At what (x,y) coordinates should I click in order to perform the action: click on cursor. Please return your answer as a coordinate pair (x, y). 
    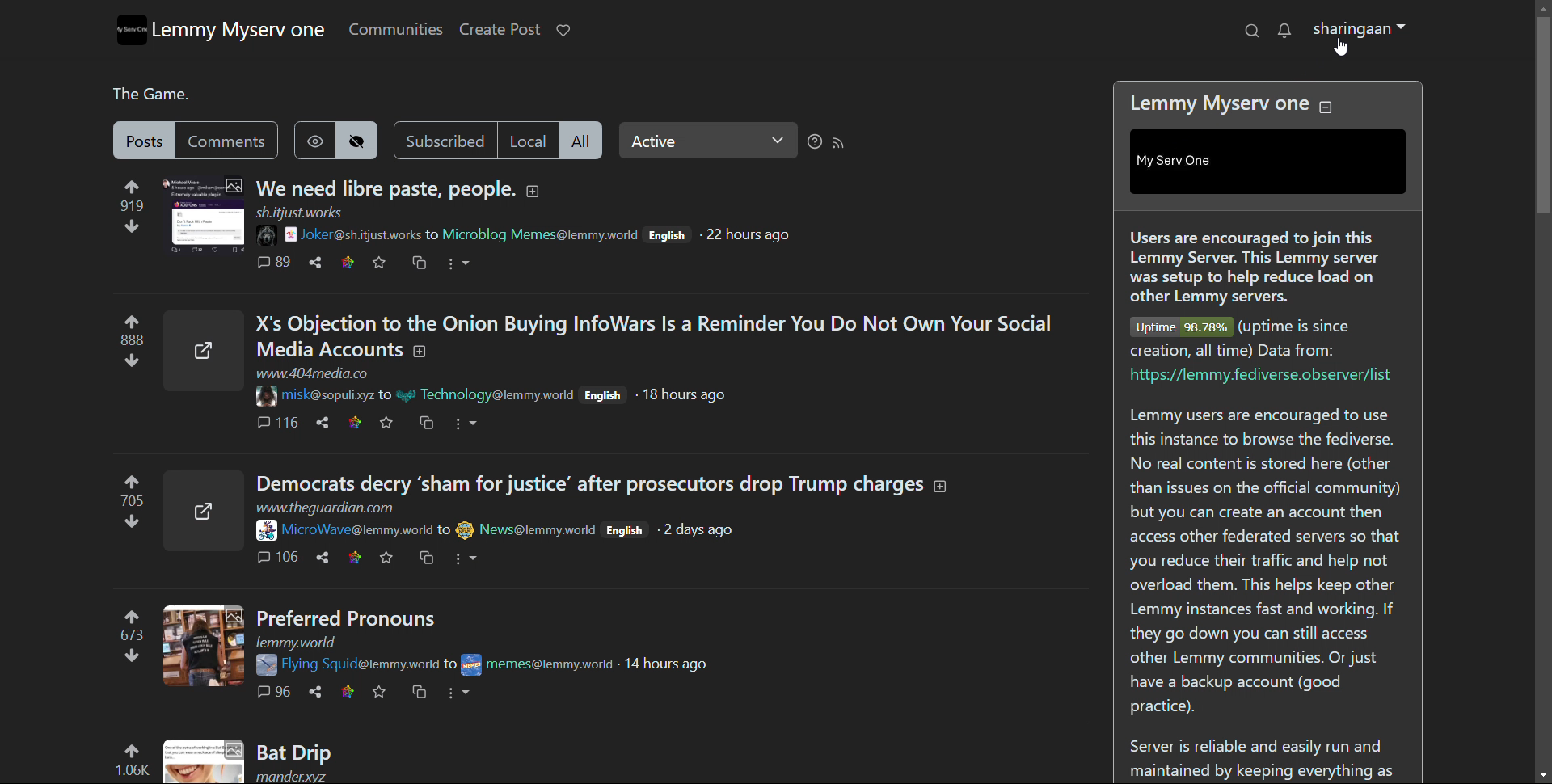
    Looking at the image, I should click on (1339, 47).